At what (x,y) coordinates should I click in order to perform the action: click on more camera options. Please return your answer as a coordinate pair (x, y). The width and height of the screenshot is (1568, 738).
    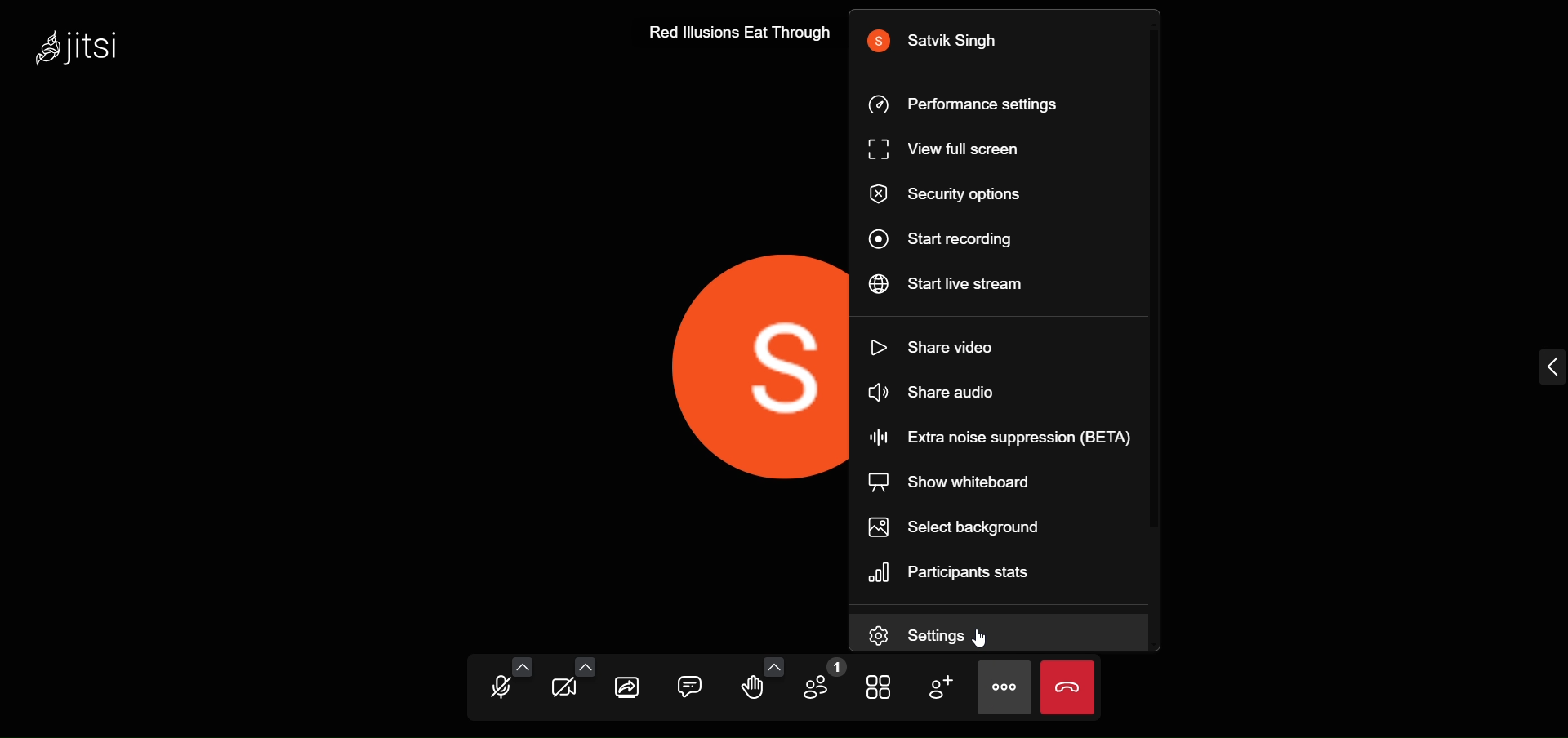
    Looking at the image, I should click on (587, 667).